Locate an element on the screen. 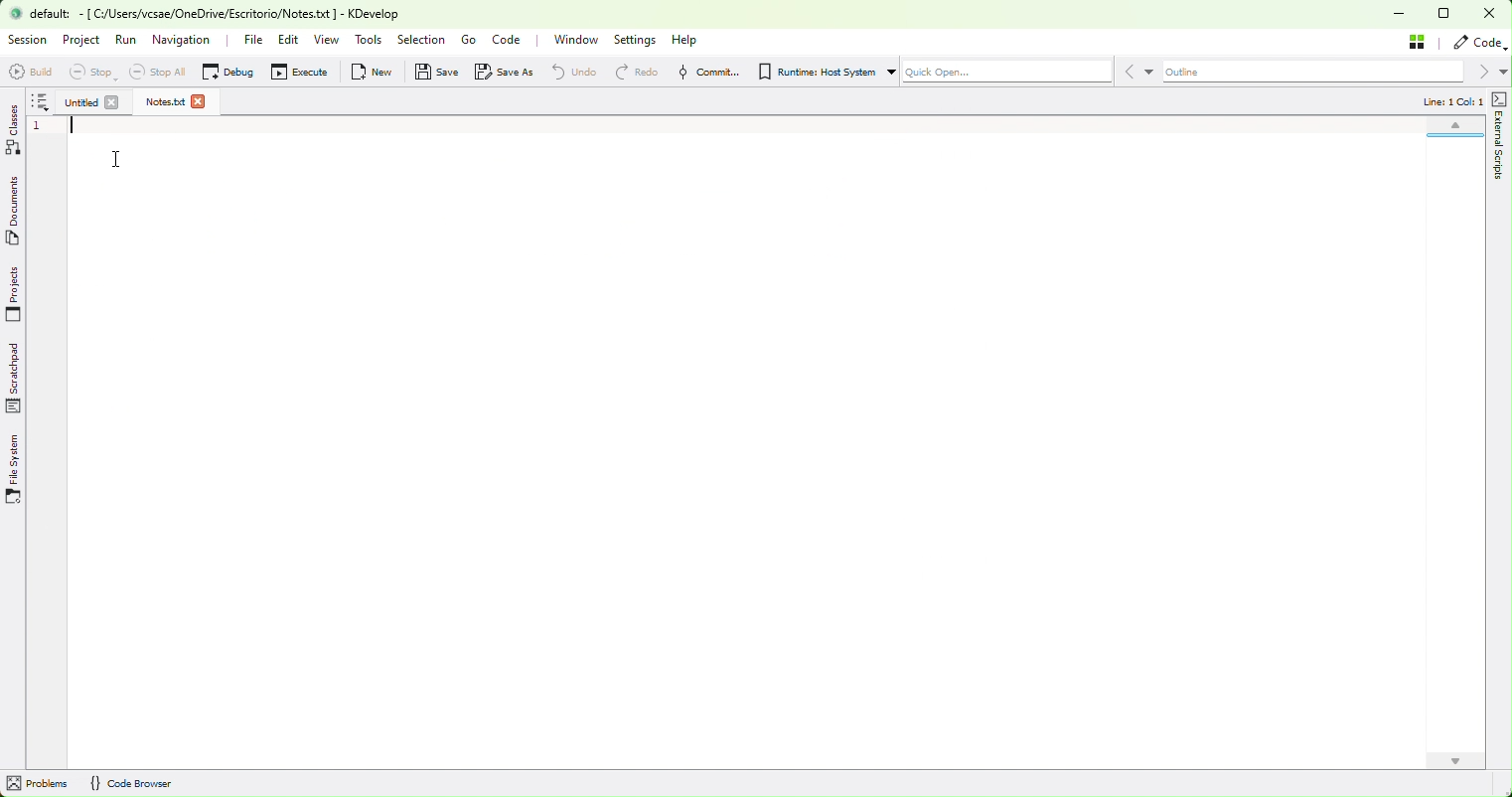 The width and height of the screenshot is (1512, 797). Go is located at coordinates (469, 40).